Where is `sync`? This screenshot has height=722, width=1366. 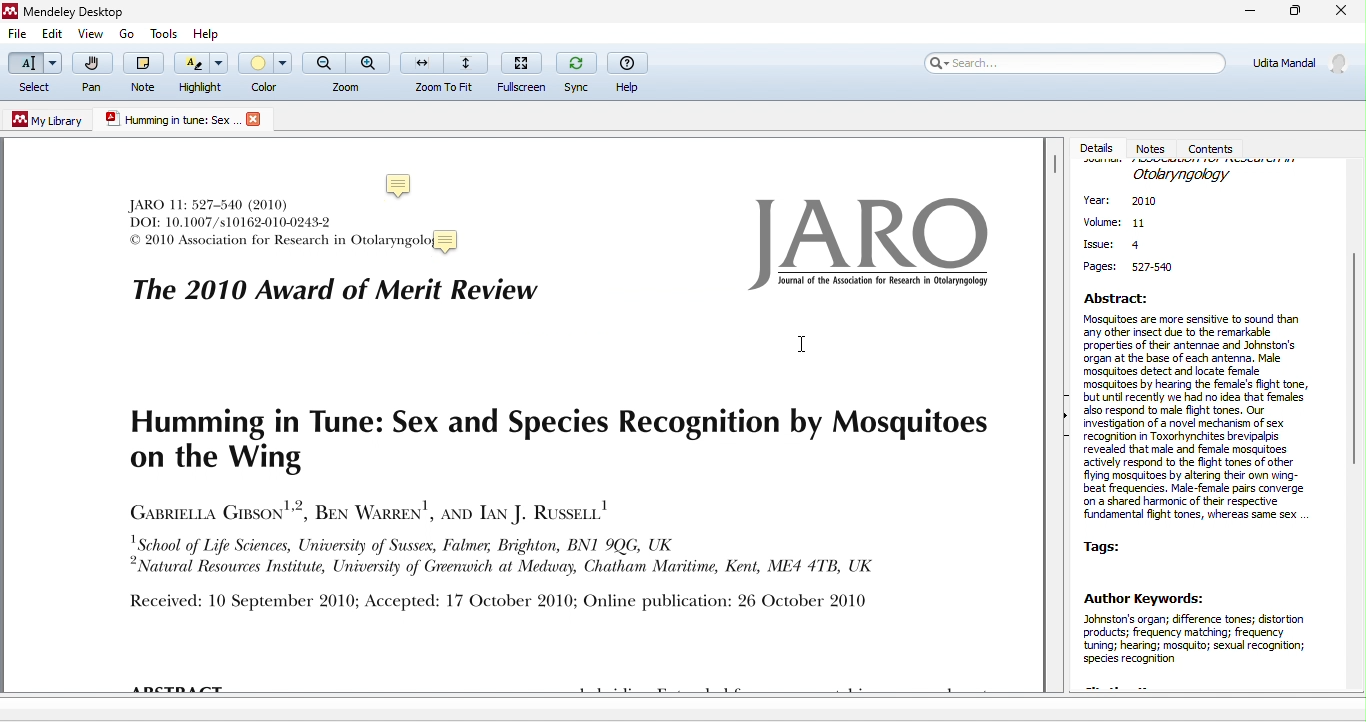 sync is located at coordinates (574, 71).